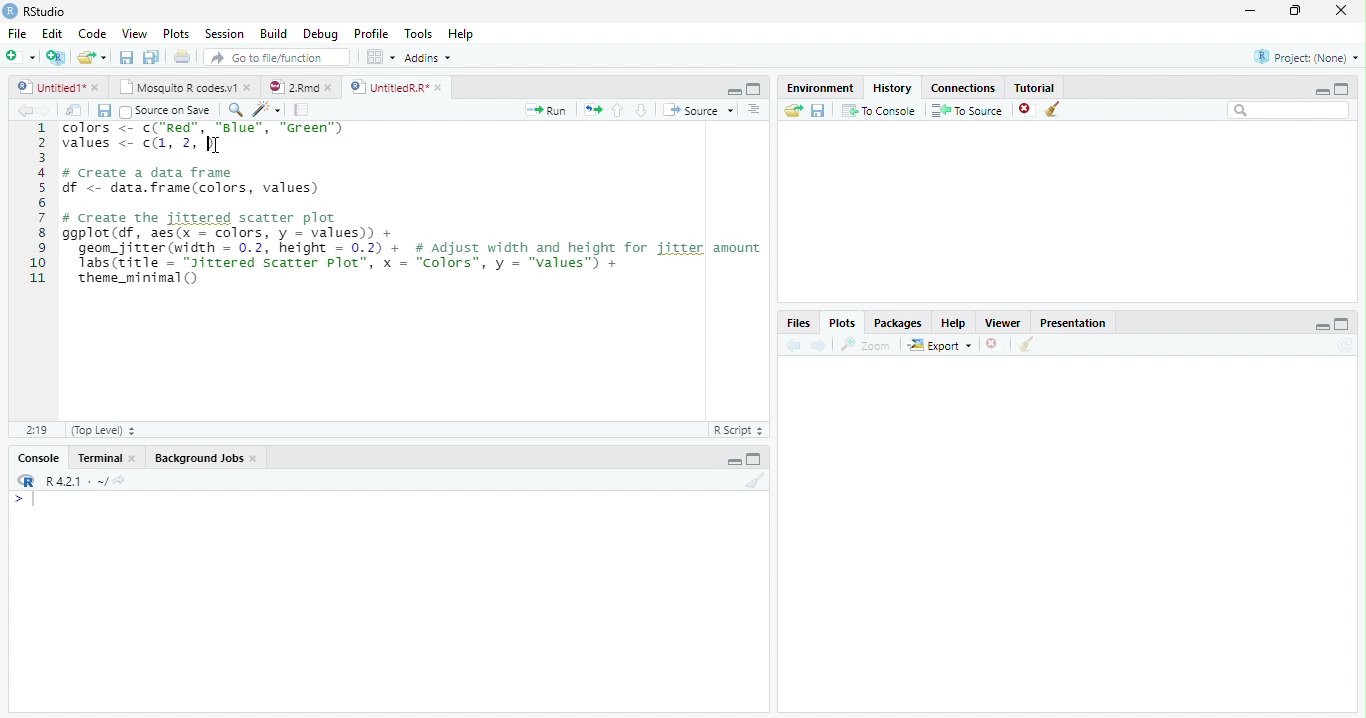  Describe the element at coordinates (105, 111) in the screenshot. I see `Save current document` at that location.